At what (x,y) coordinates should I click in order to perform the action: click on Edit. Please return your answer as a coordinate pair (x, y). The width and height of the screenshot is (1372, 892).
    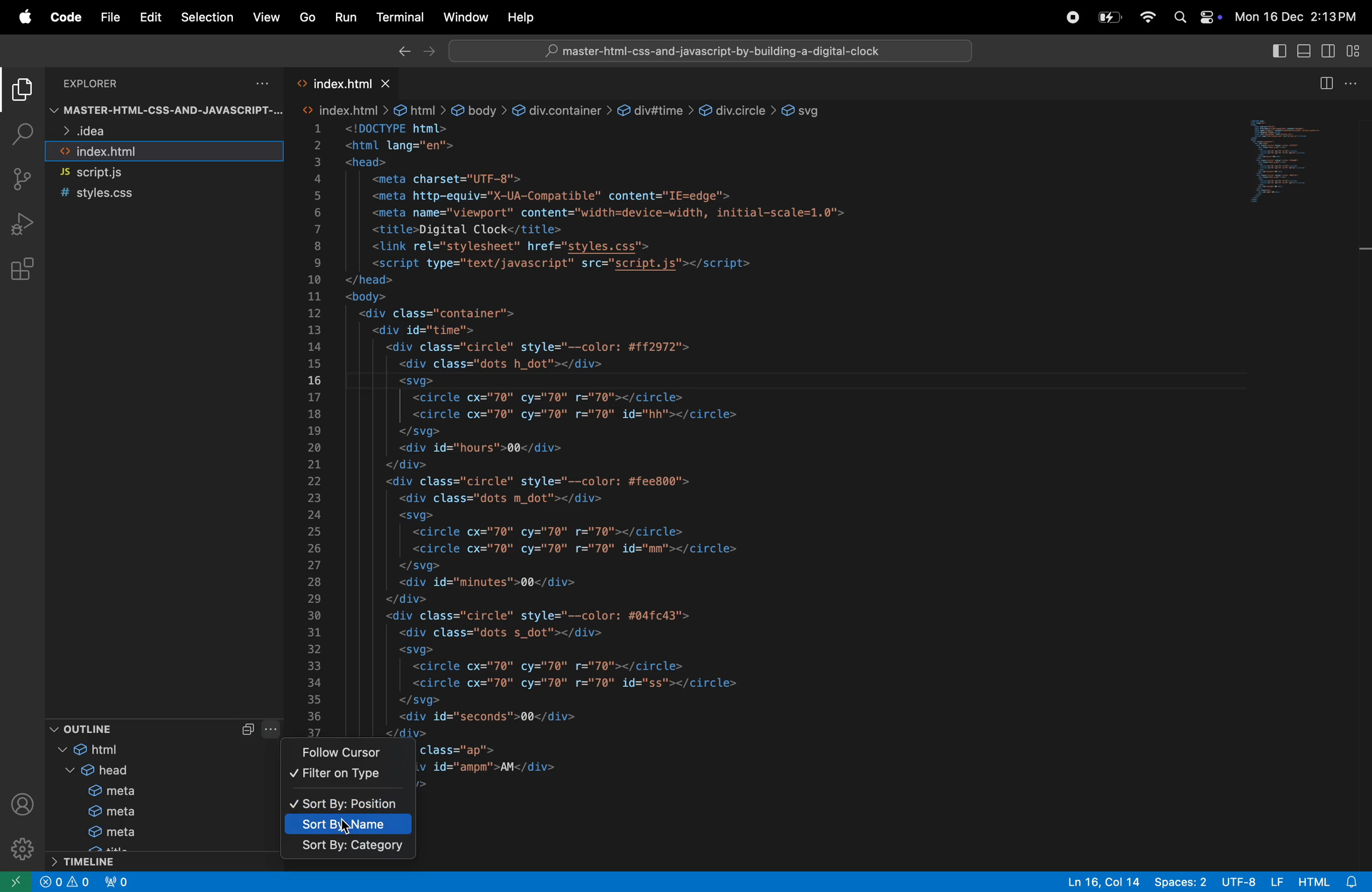
    Looking at the image, I should click on (151, 17).